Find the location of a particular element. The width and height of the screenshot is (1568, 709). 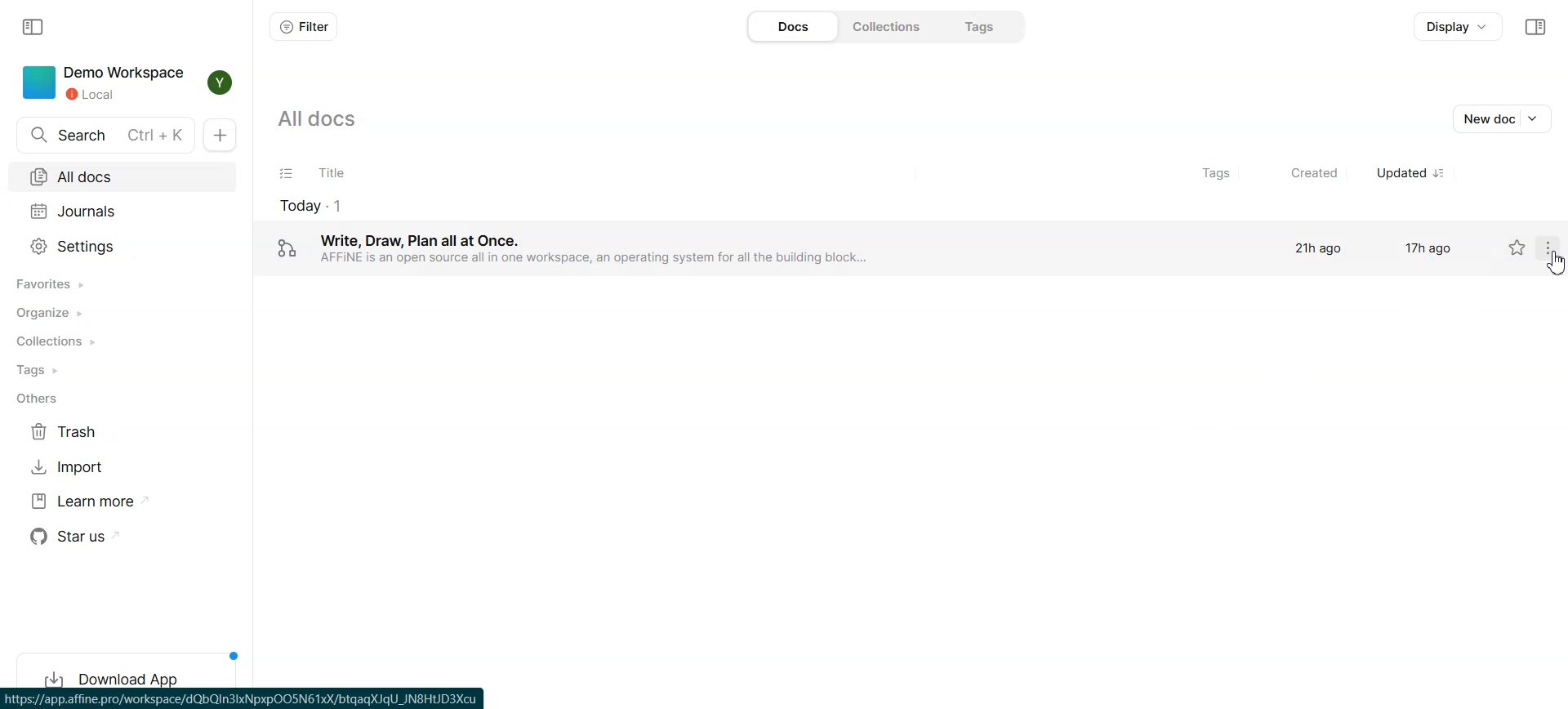

Tags is located at coordinates (1206, 173).